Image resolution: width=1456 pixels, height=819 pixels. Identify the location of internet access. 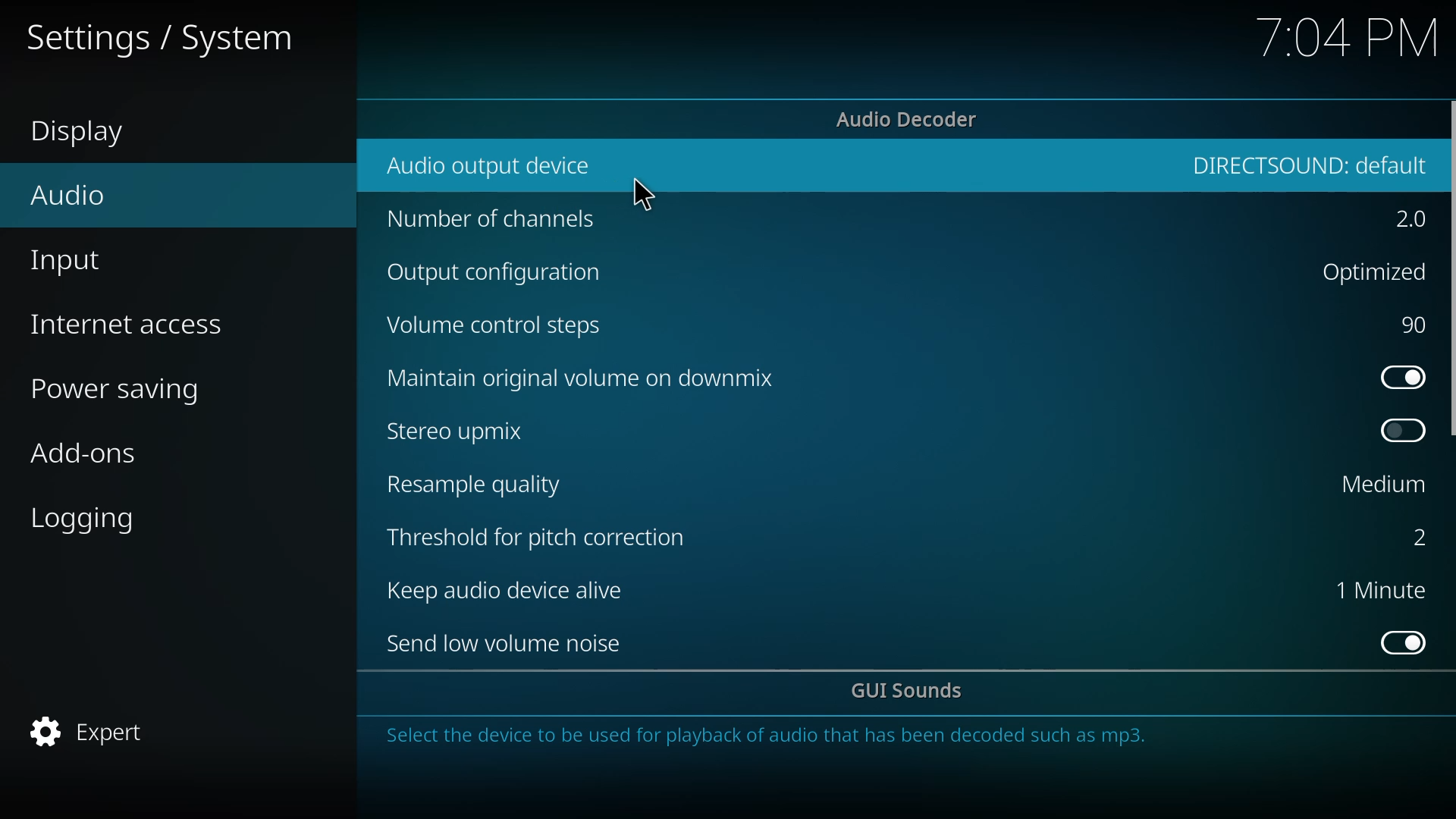
(130, 325).